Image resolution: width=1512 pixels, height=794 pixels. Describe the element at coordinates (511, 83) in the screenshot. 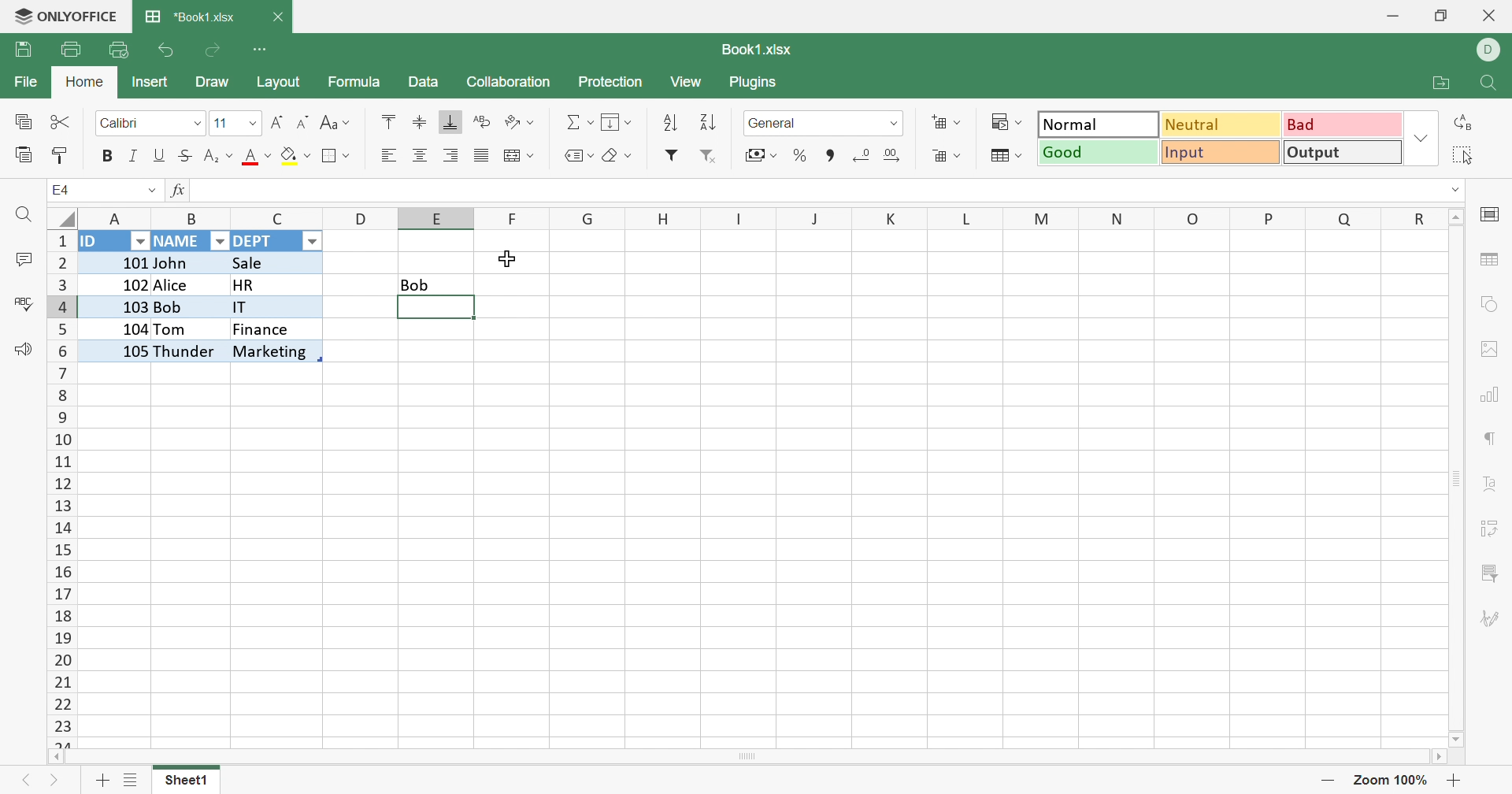

I see `Collaboration` at that location.